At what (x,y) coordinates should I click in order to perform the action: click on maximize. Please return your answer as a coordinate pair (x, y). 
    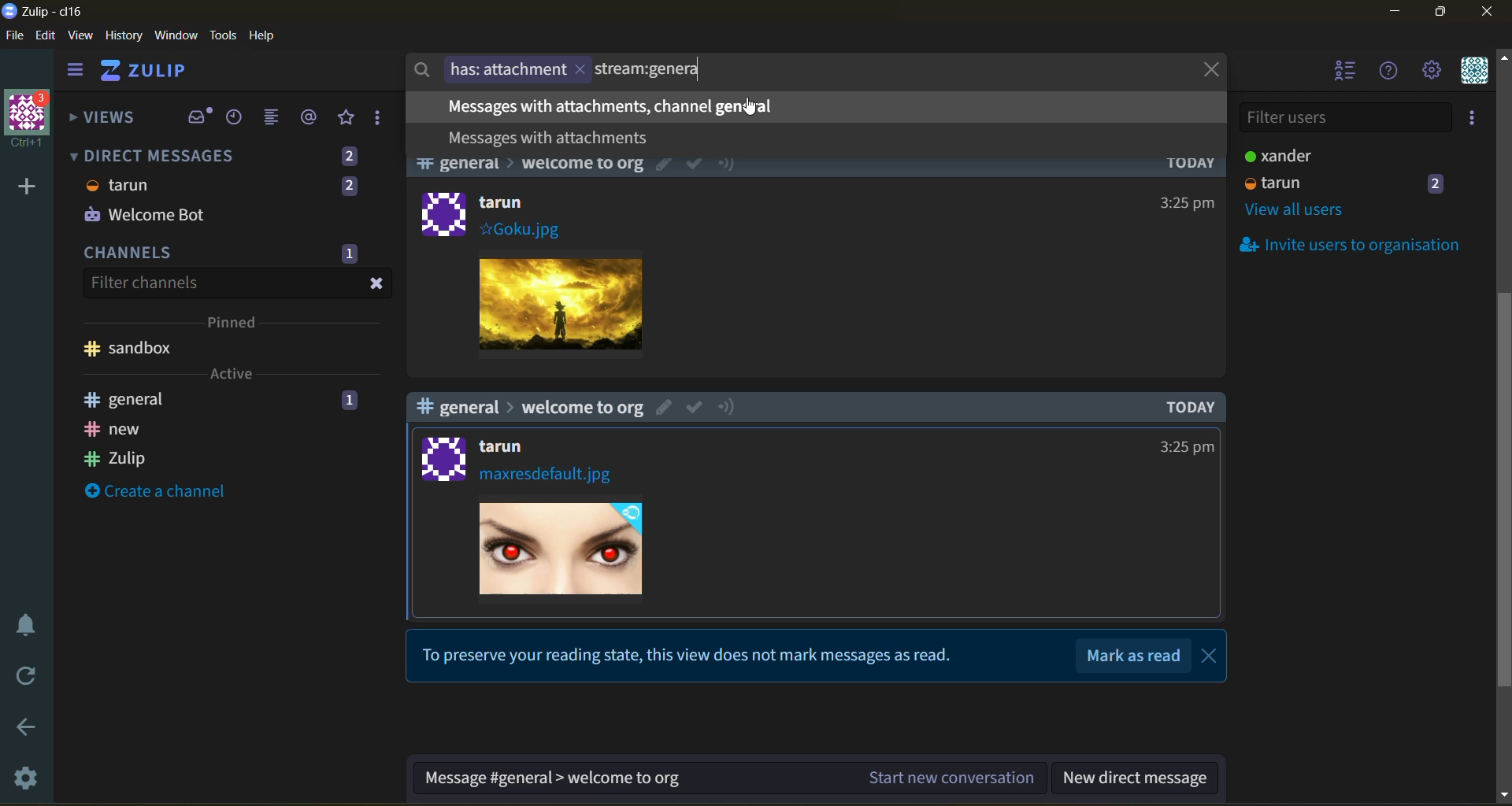
    Looking at the image, I should click on (1444, 12).